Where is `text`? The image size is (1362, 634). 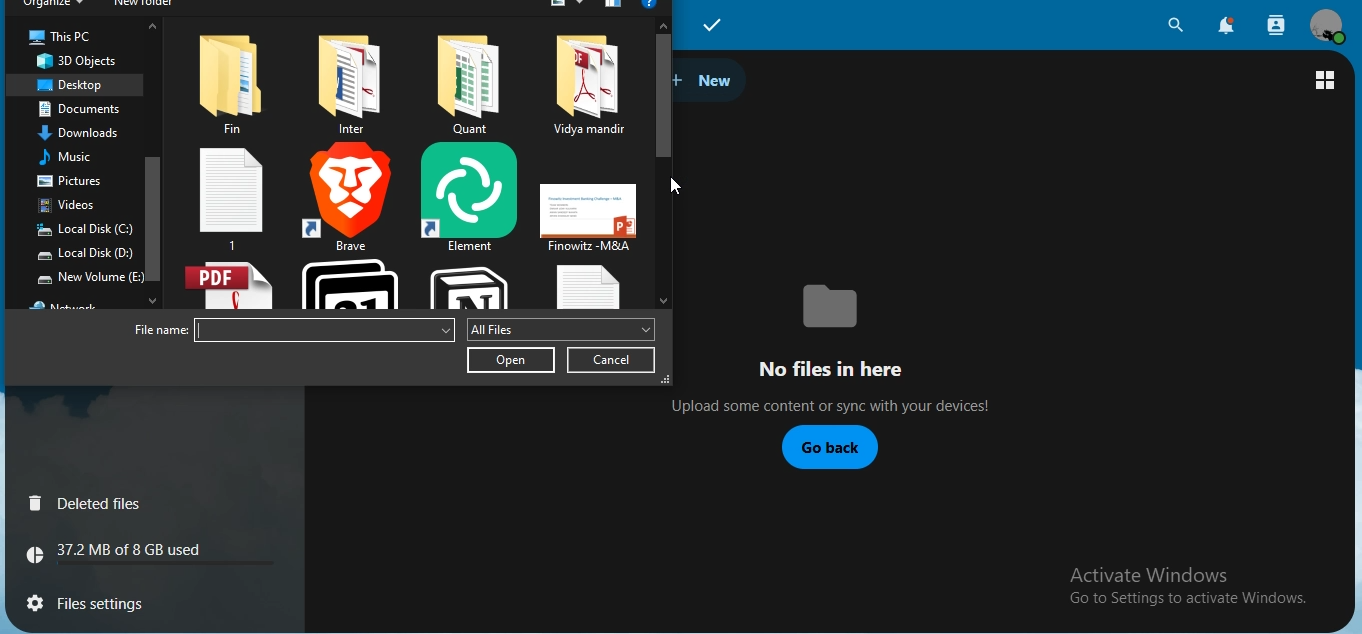 text is located at coordinates (1191, 588).